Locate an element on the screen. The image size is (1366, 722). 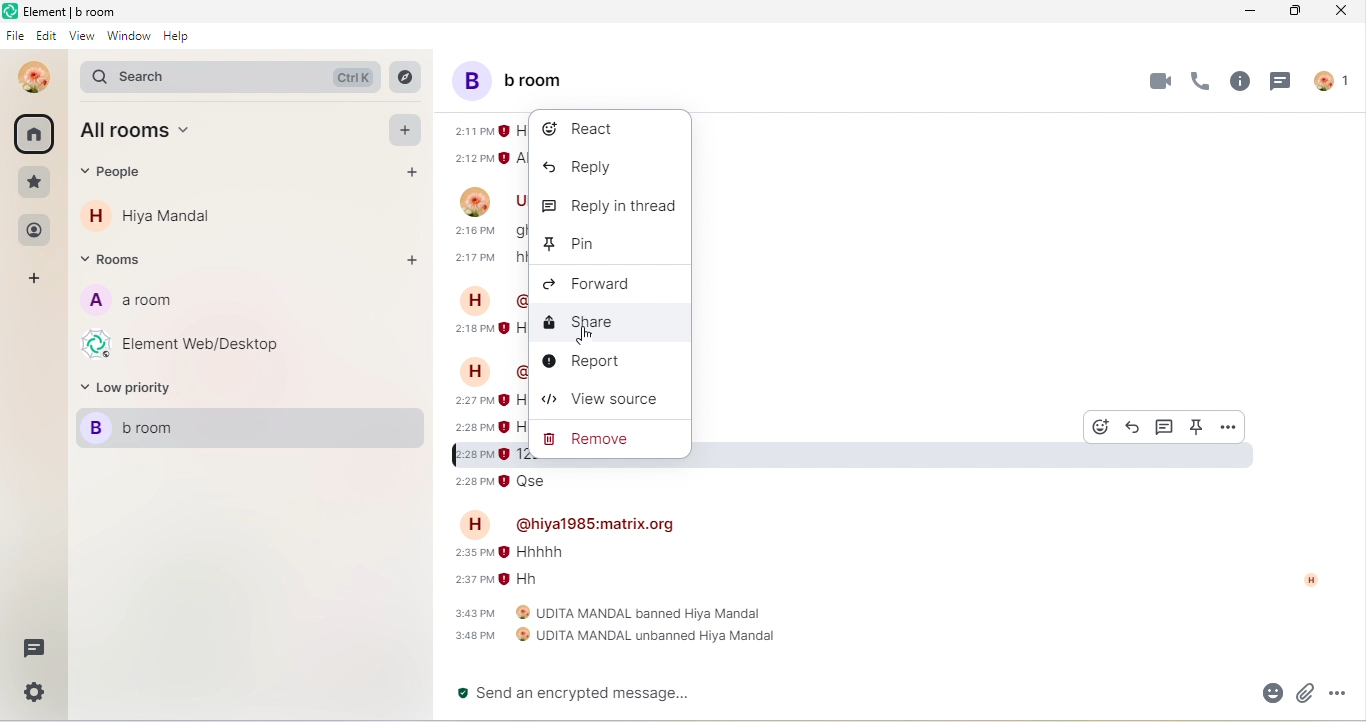
video call is located at coordinates (1156, 81).